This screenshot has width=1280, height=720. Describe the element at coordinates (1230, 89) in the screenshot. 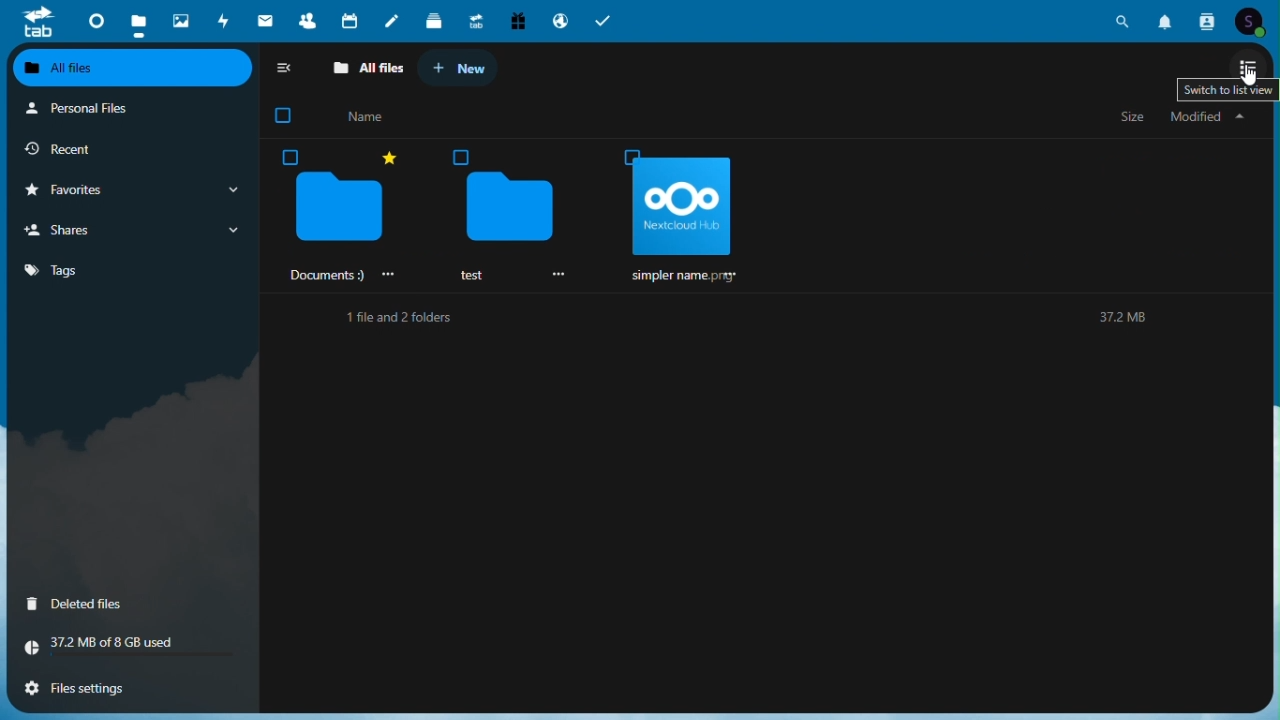

I see `Text` at that location.